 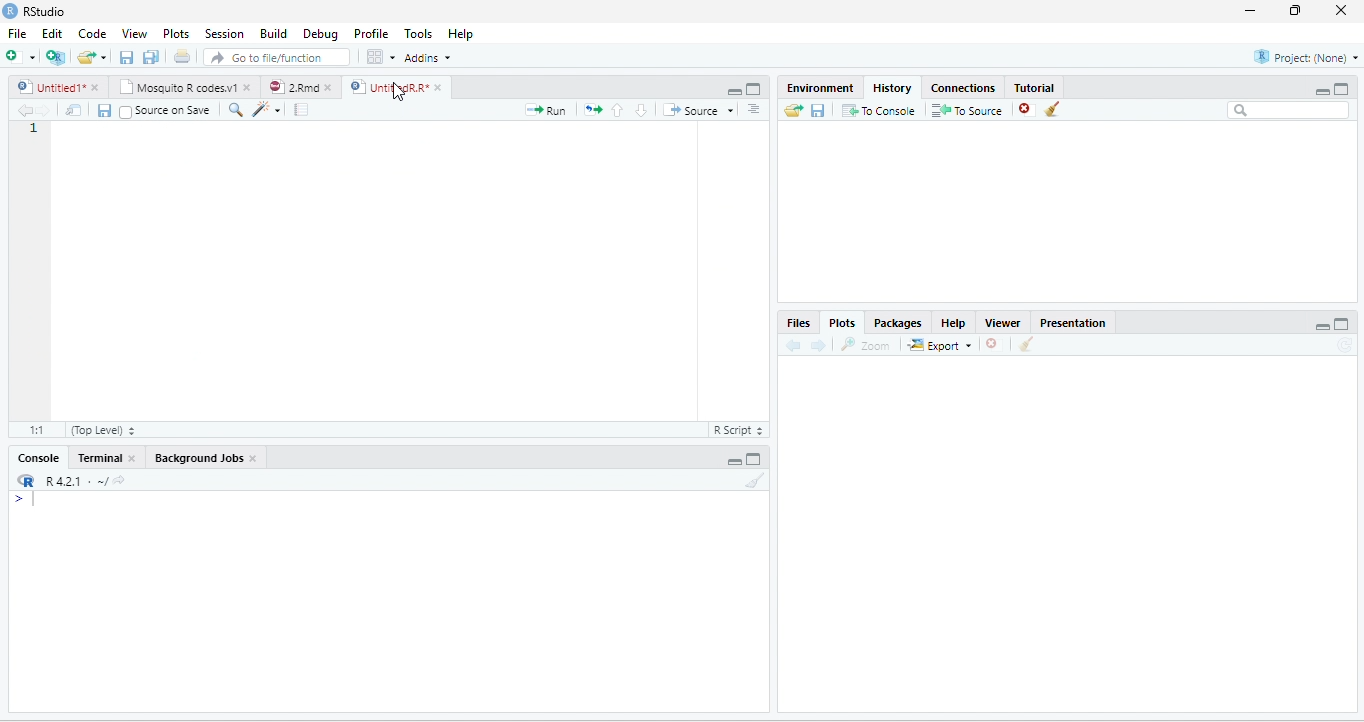 I want to click on Console, so click(x=38, y=458).